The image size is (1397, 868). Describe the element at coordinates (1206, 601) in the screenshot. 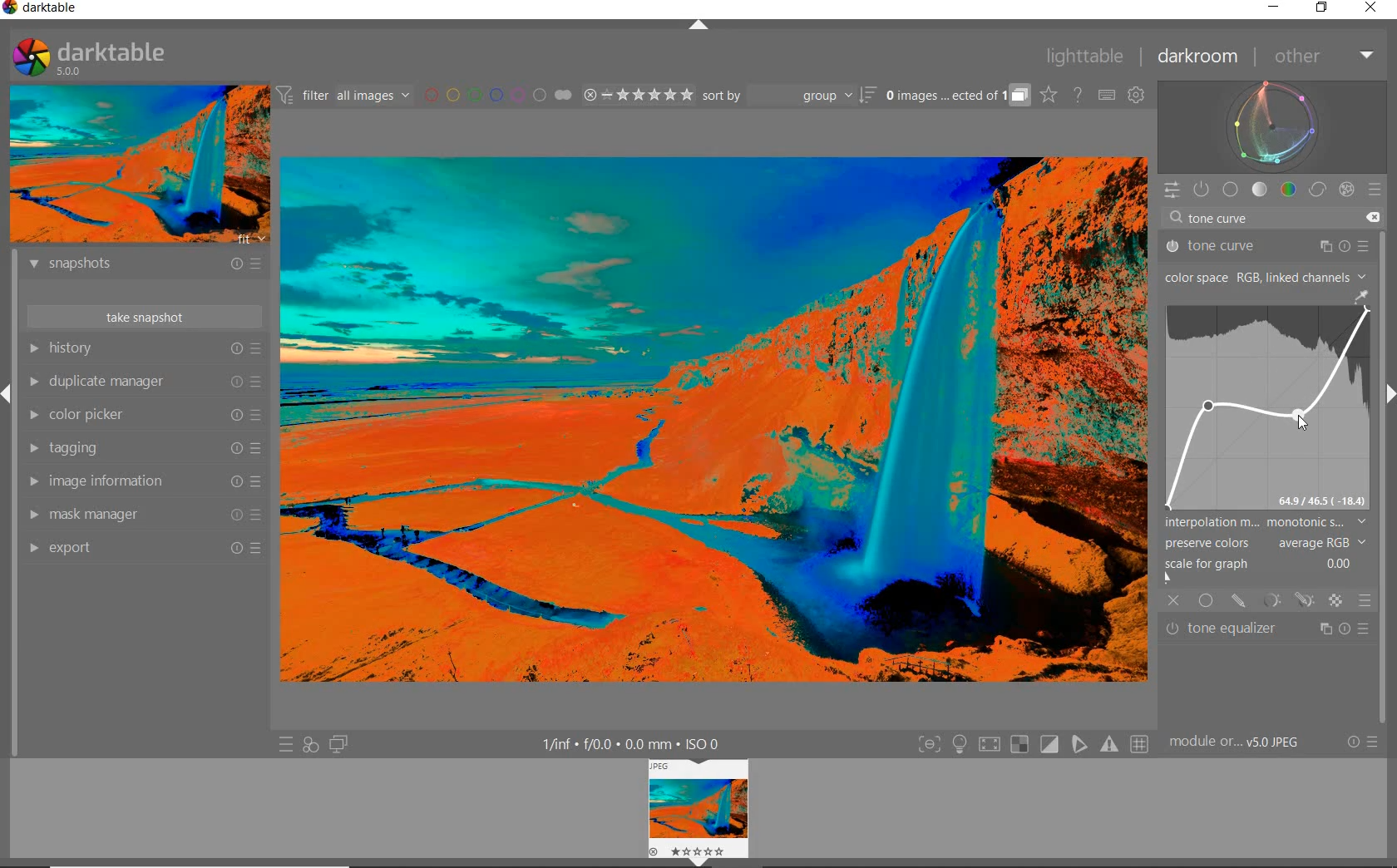

I see `UNIFORMLY` at that location.